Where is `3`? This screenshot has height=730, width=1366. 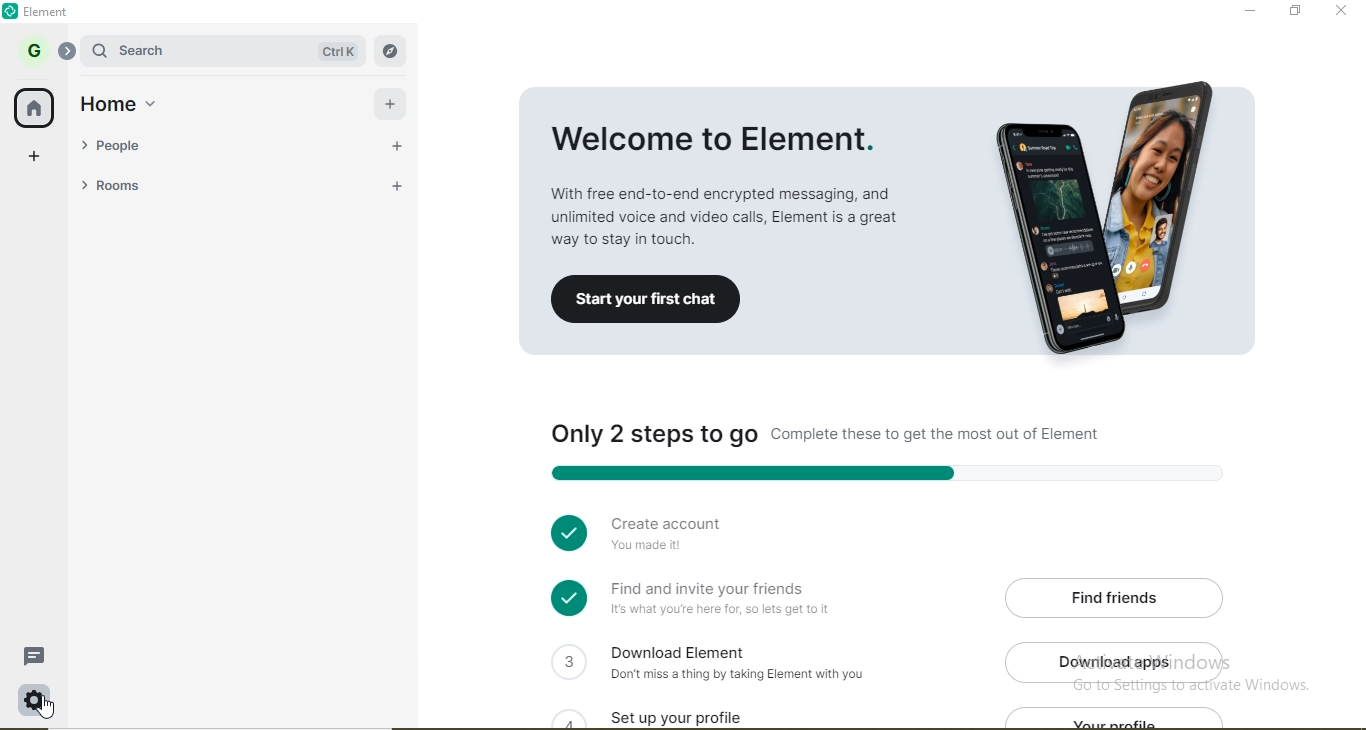 3 is located at coordinates (567, 660).